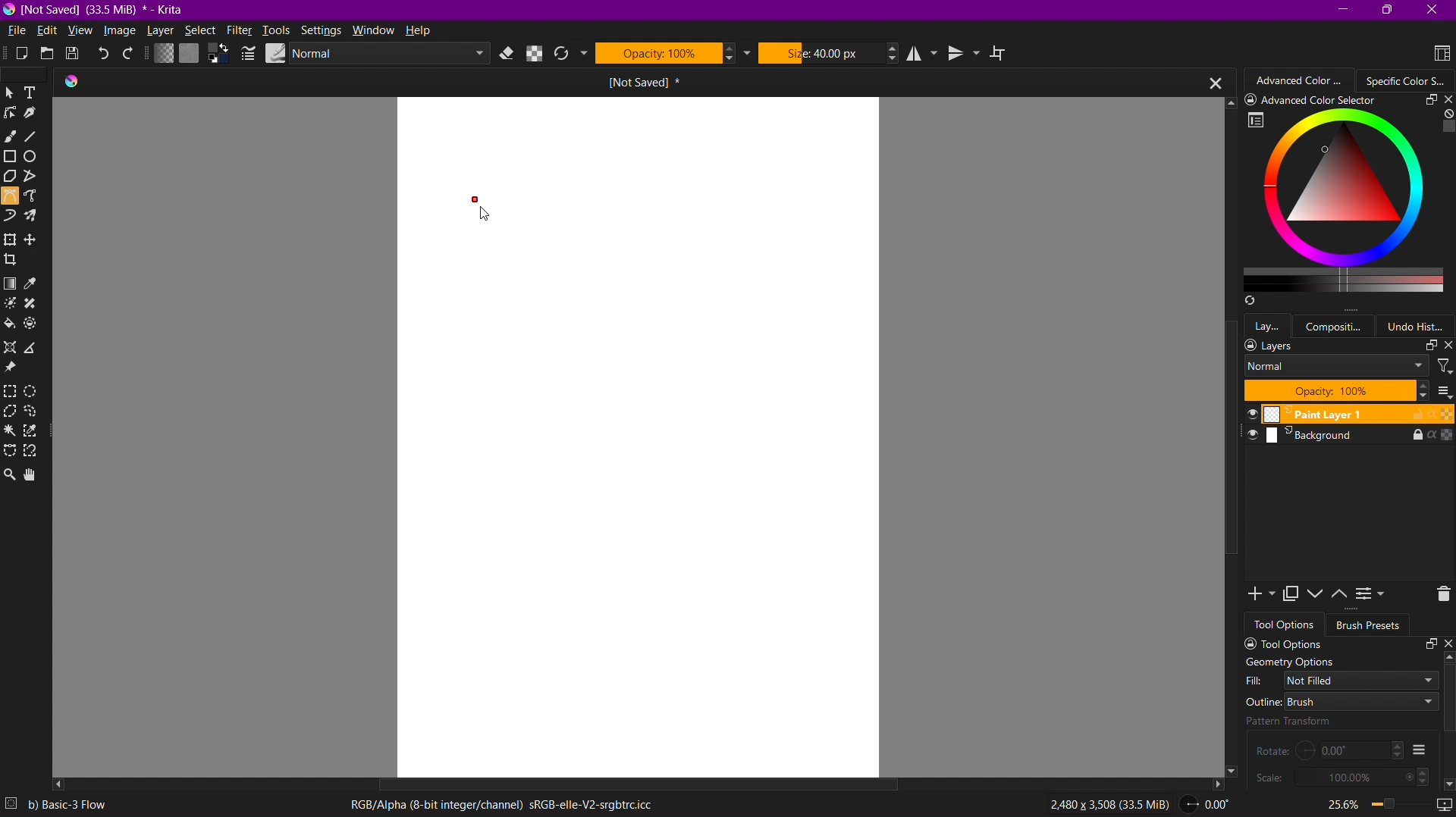  I want to click on Contiguous Selection Tool, so click(11, 434).